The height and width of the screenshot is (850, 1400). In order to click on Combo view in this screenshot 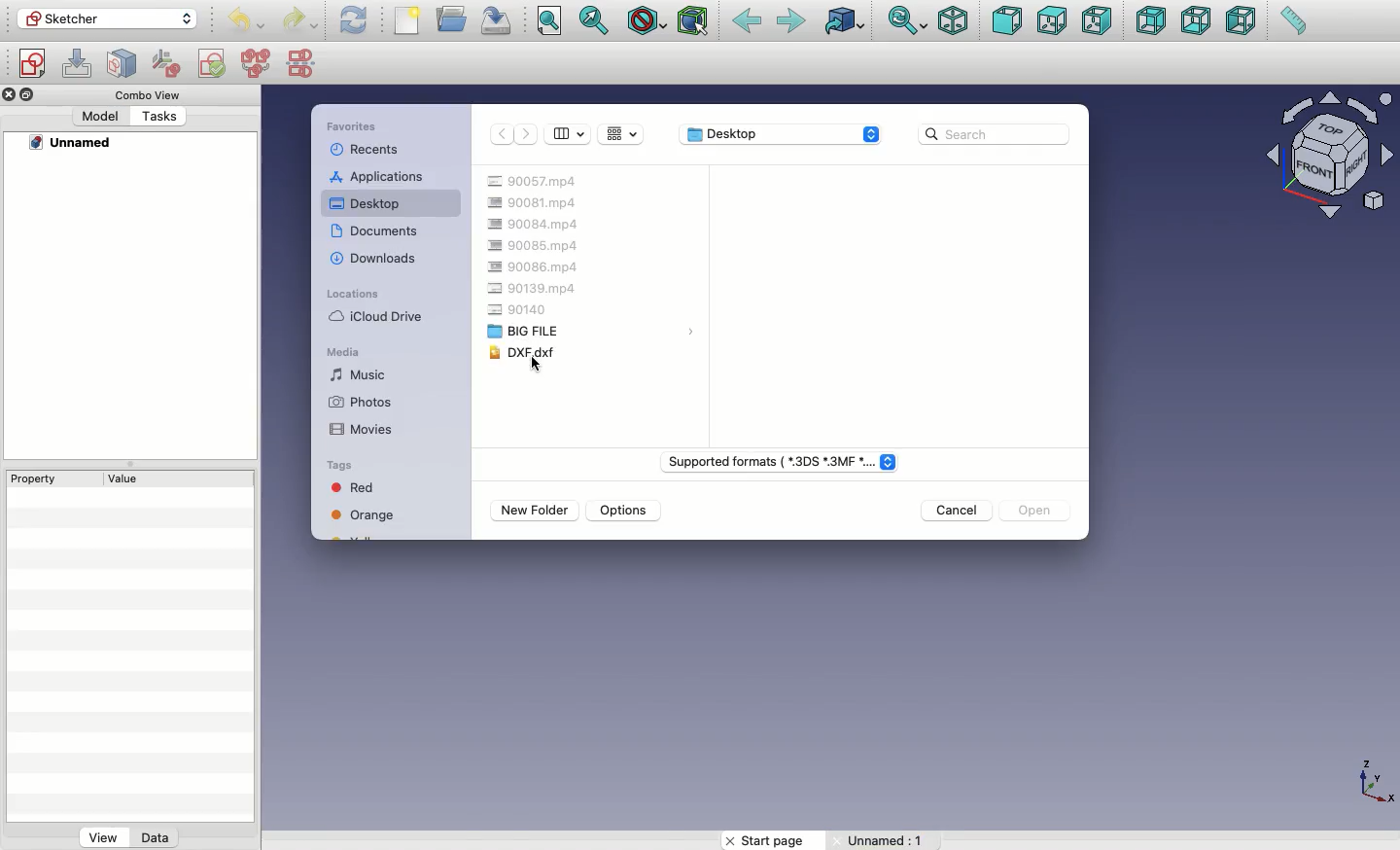, I will do `click(147, 96)`.